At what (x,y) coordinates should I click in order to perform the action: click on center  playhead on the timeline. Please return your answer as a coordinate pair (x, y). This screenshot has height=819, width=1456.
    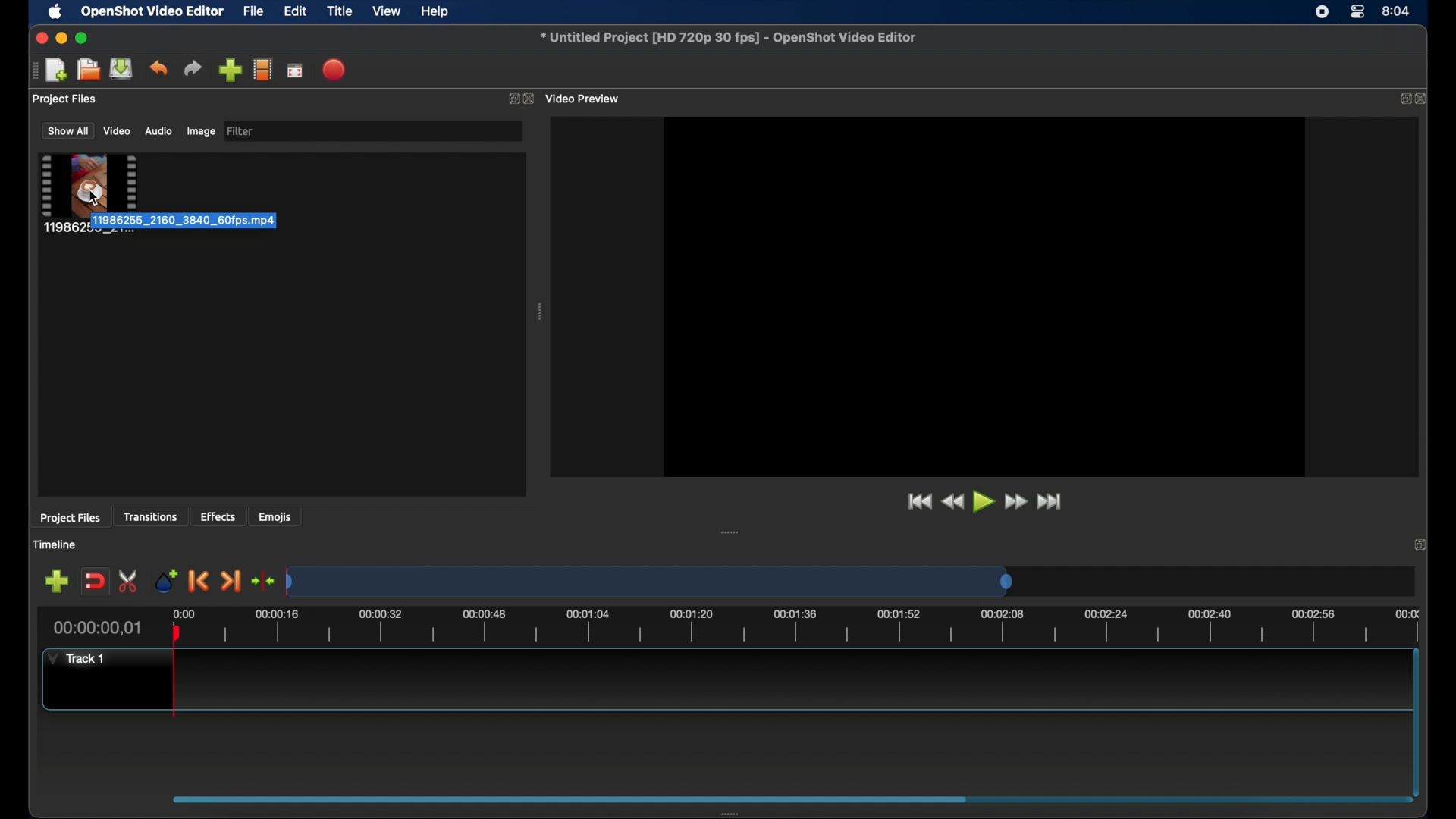
    Looking at the image, I should click on (262, 579).